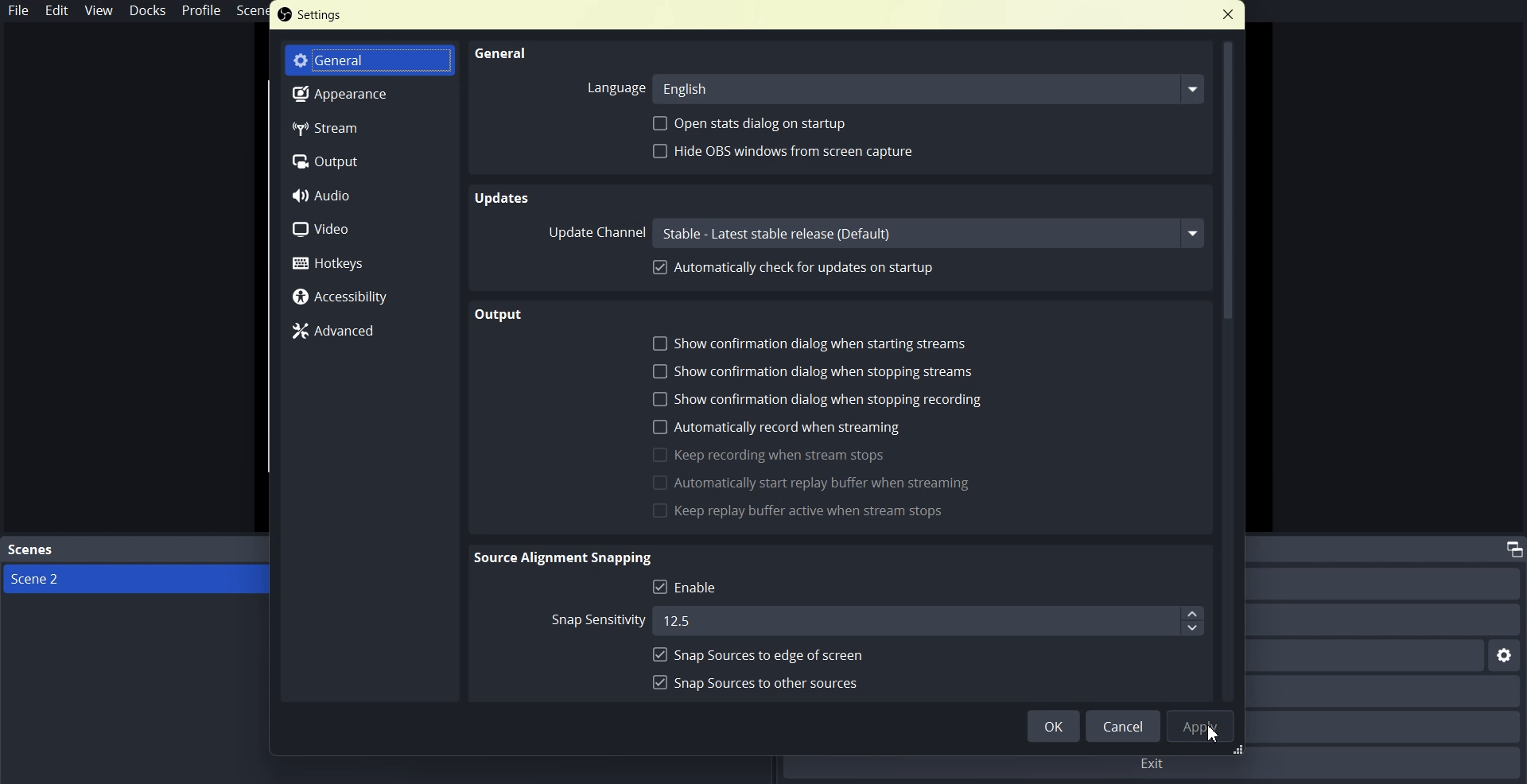 Image resolution: width=1527 pixels, height=784 pixels. I want to click on Text, so click(311, 14).